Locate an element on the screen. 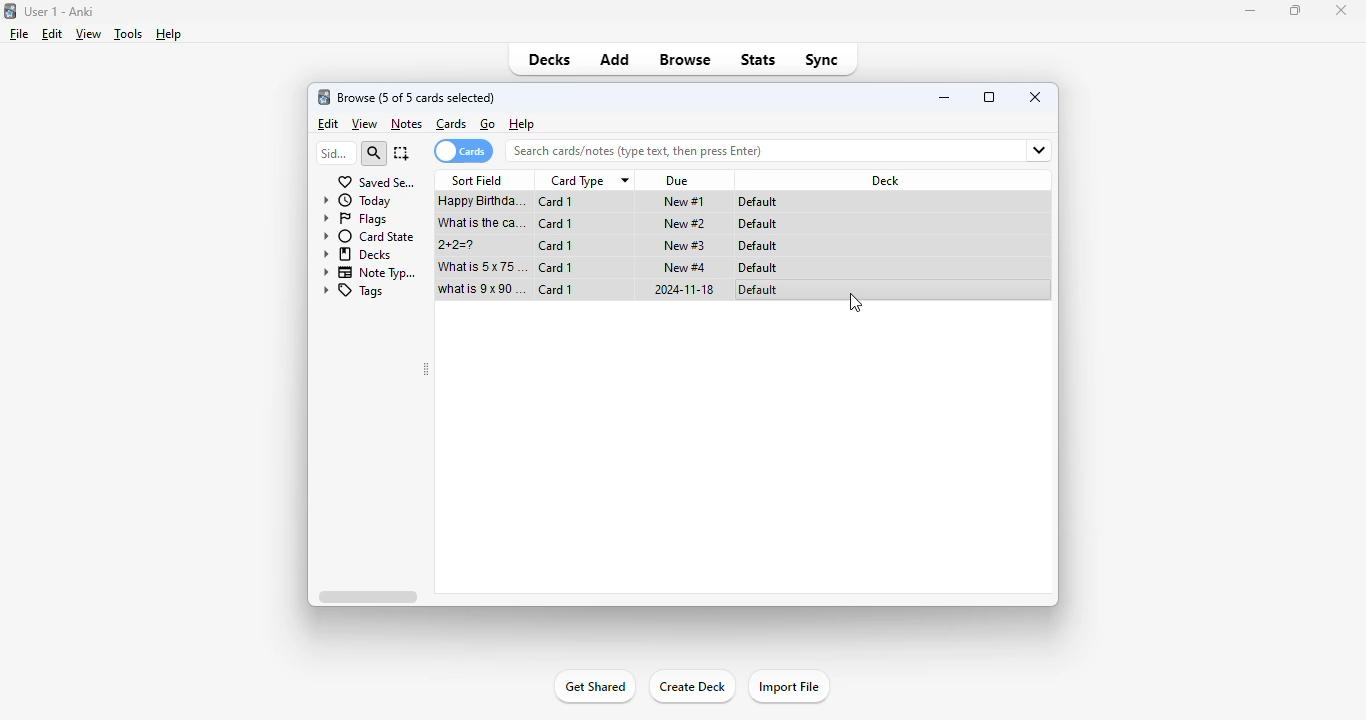 Image resolution: width=1366 pixels, height=720 pixels. tools is located at coordinates (128, 35).